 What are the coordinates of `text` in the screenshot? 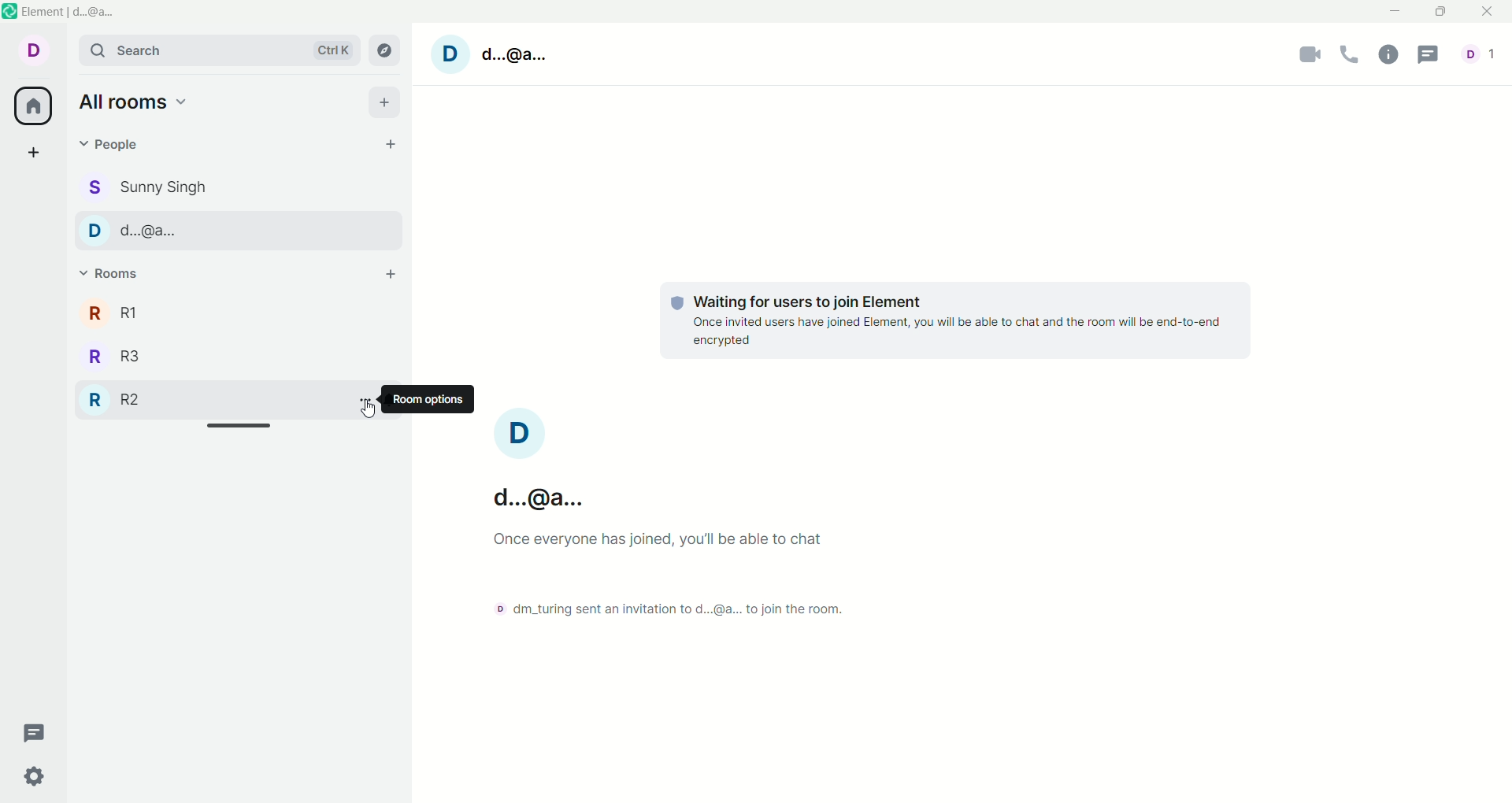 It's located at (682, 517).